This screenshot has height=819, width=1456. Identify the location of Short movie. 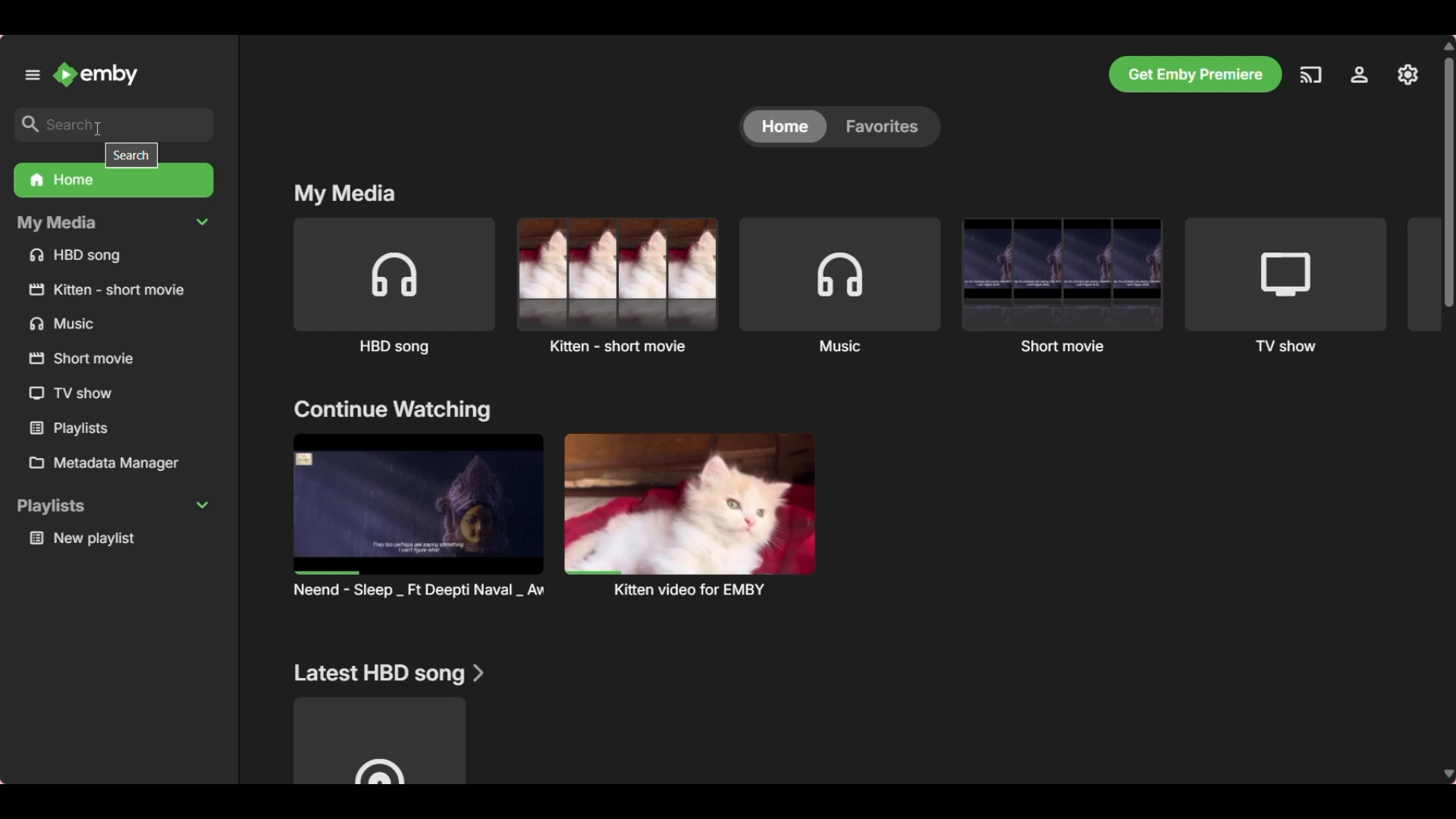
(1063, 284).